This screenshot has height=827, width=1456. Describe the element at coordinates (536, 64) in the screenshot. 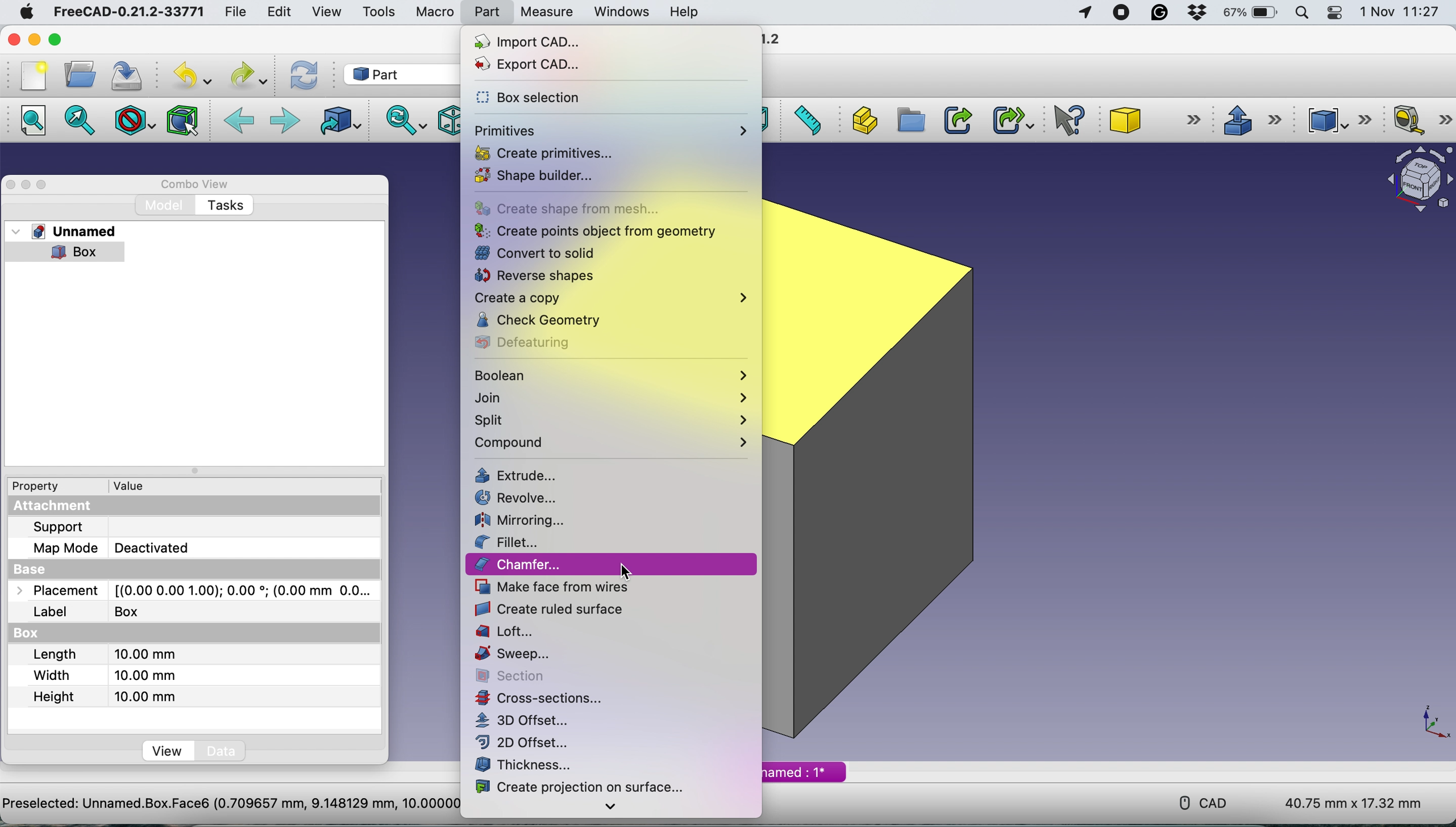

I see `export cad` at that location.